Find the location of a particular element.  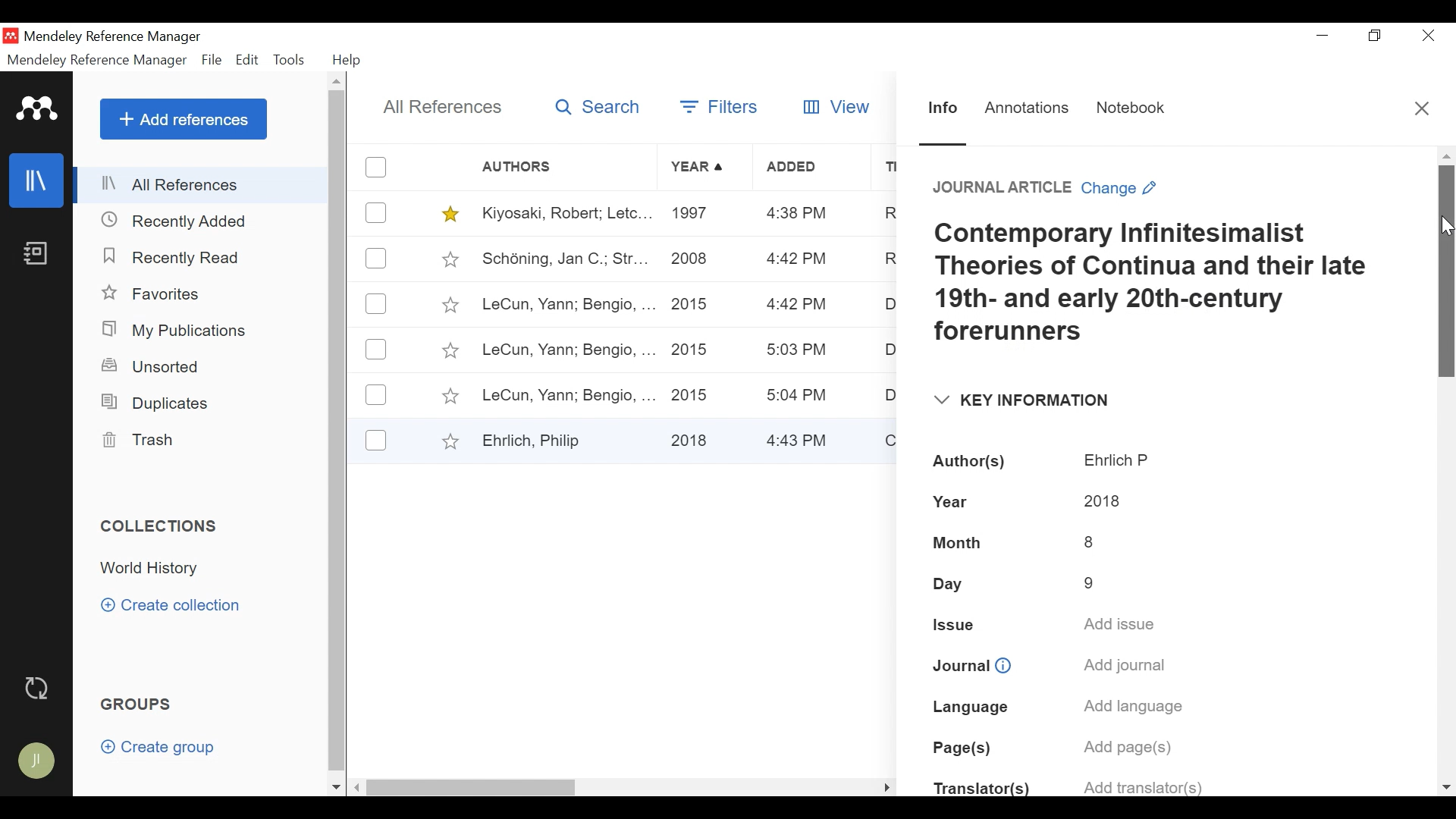

Annotation is located at coordinates (1029, 110).